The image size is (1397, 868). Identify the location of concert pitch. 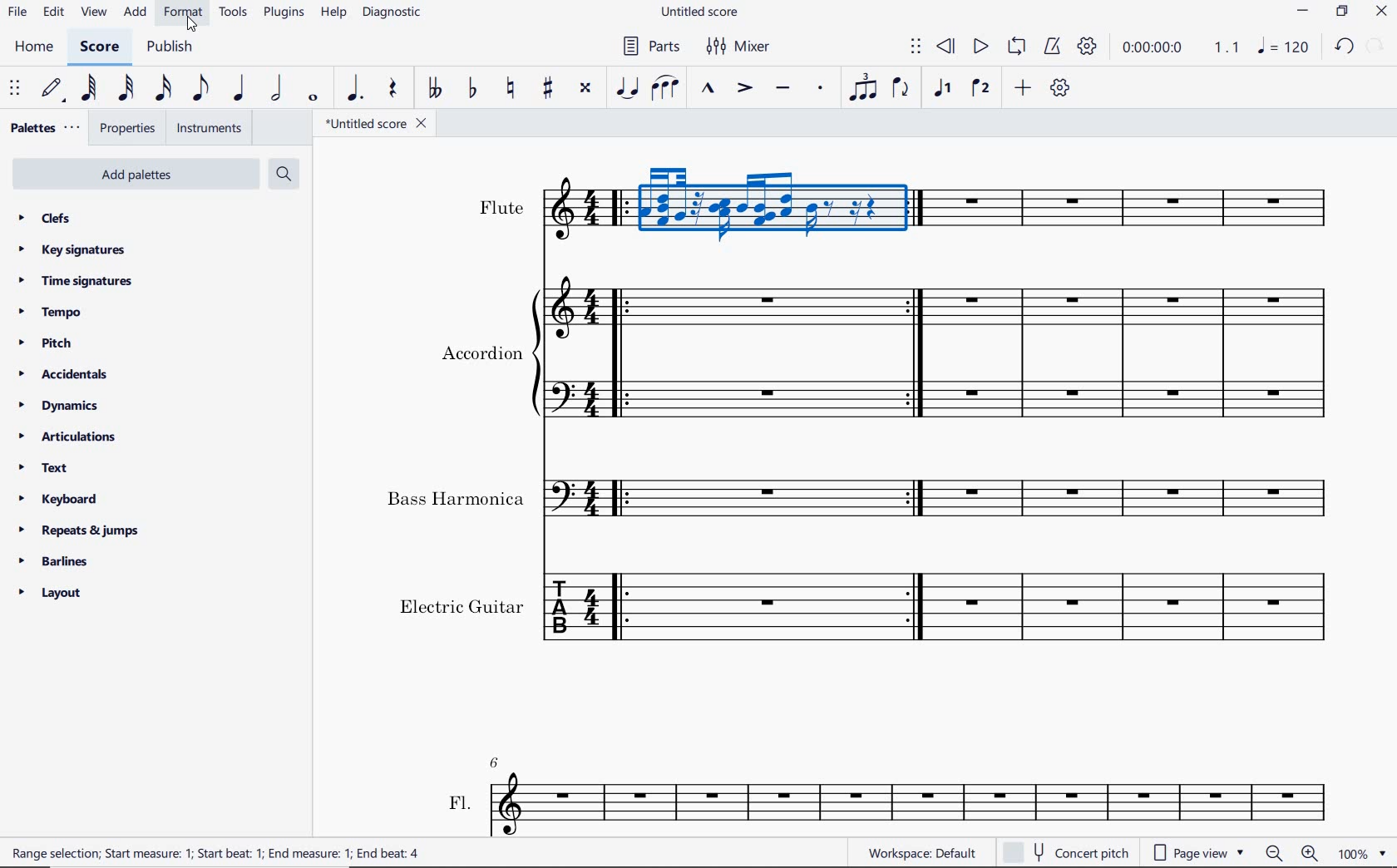
(1066, 851).